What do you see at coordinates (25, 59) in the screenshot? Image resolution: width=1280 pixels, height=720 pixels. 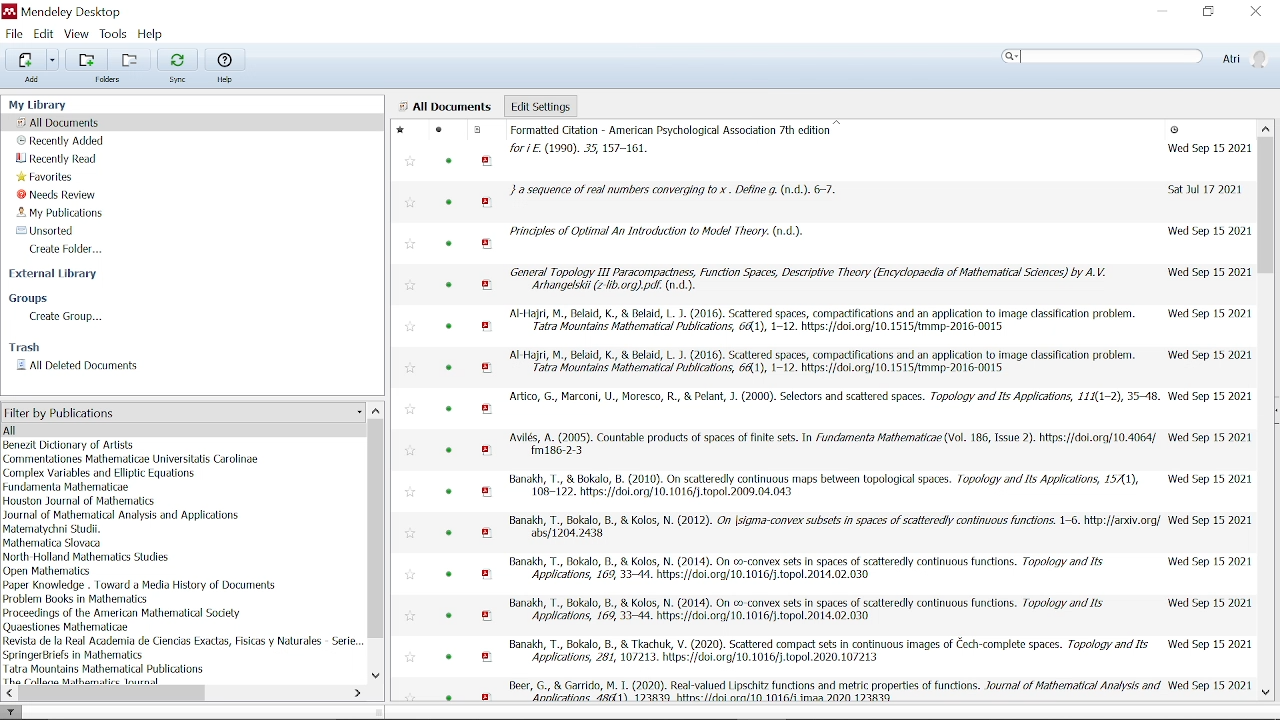 I see `Add files` at bounding box center [25, 59].